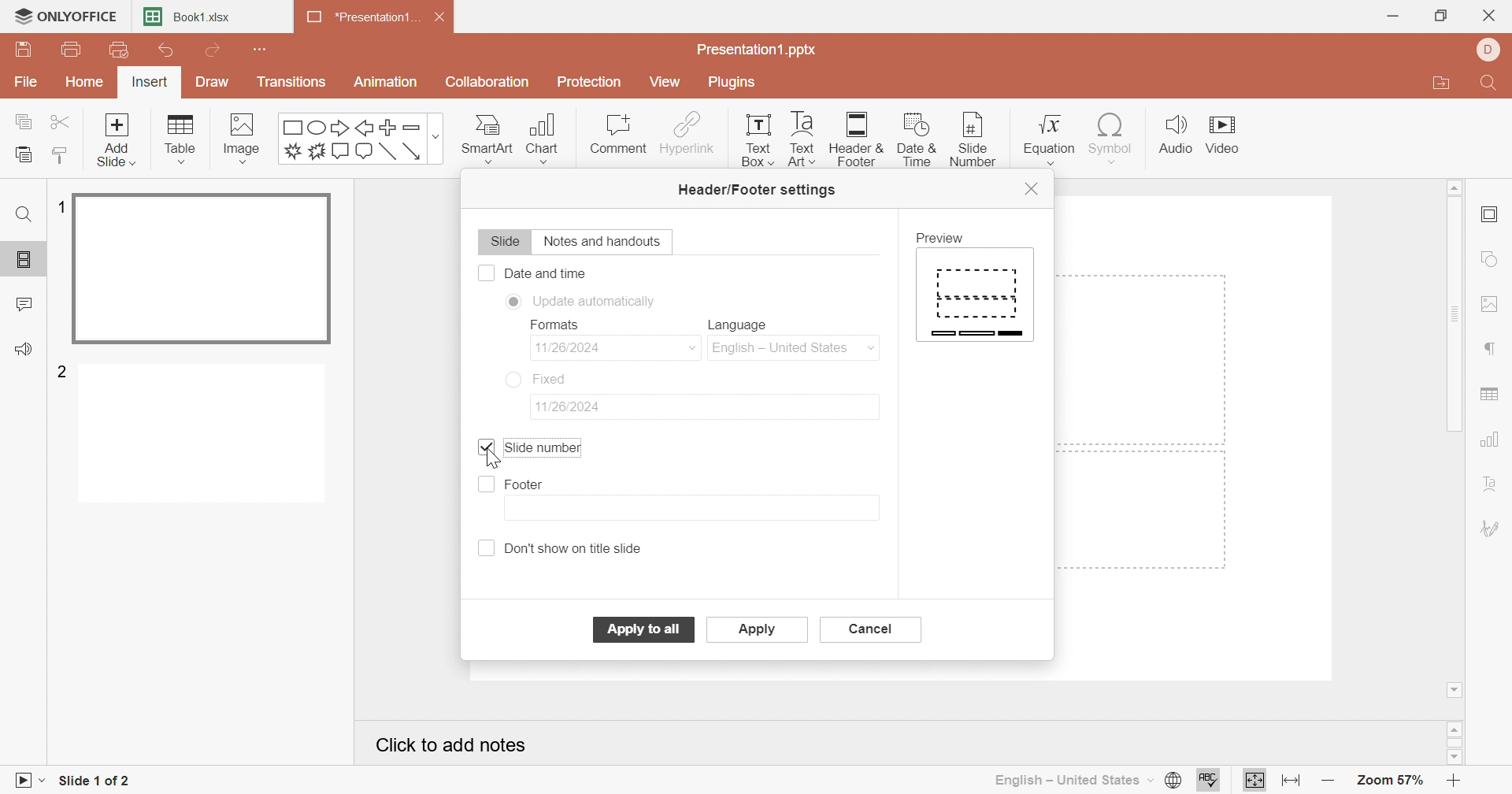 Image resolution: width=1512 pixels, height=794 pixels. I want to click on Drop down, so click(693, 347).